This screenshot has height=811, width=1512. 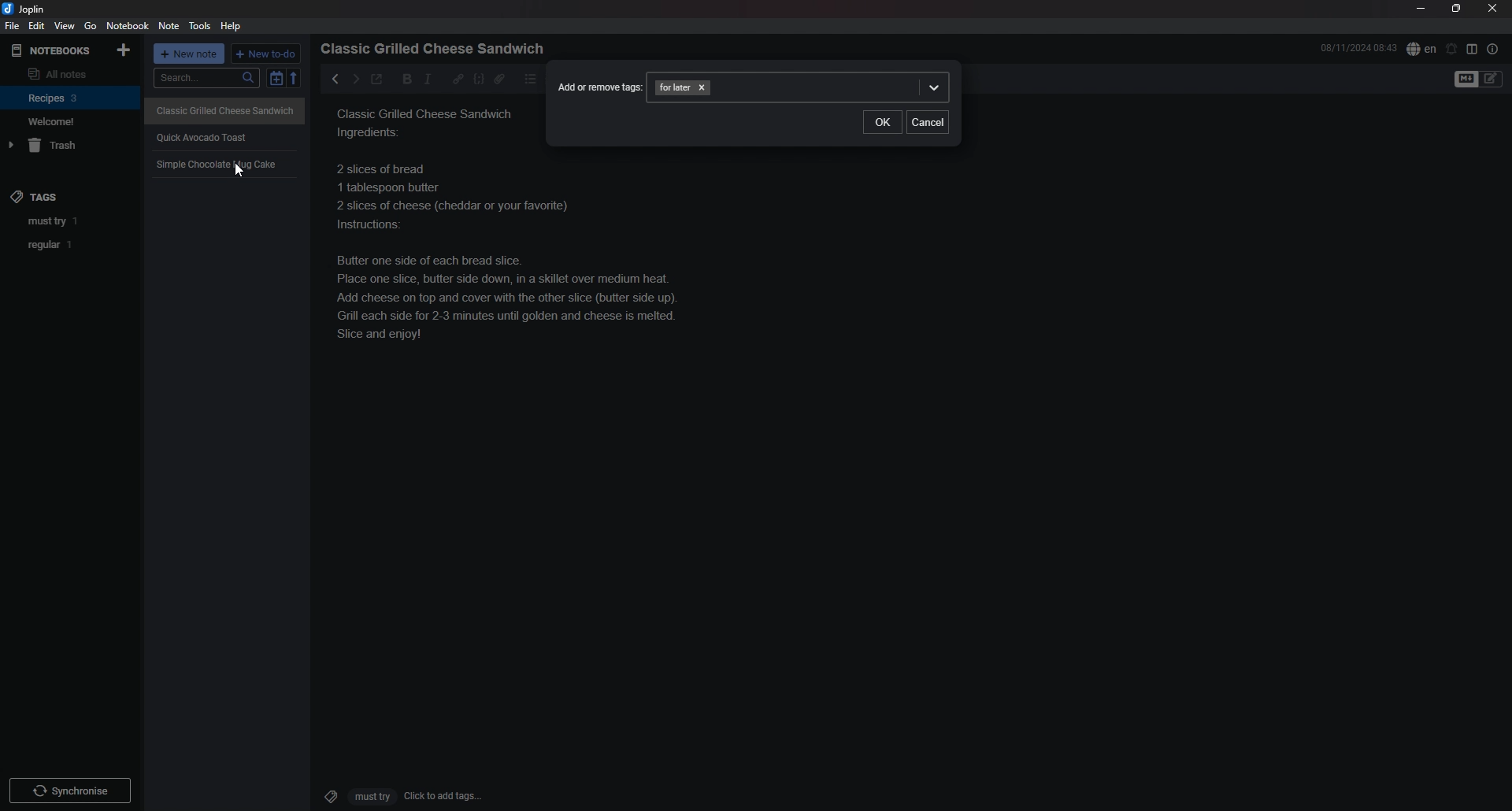 What do you see at coordinates (297, 79) in the screenshot?
I see `reverse sort order` at bounding box center [297, 79].